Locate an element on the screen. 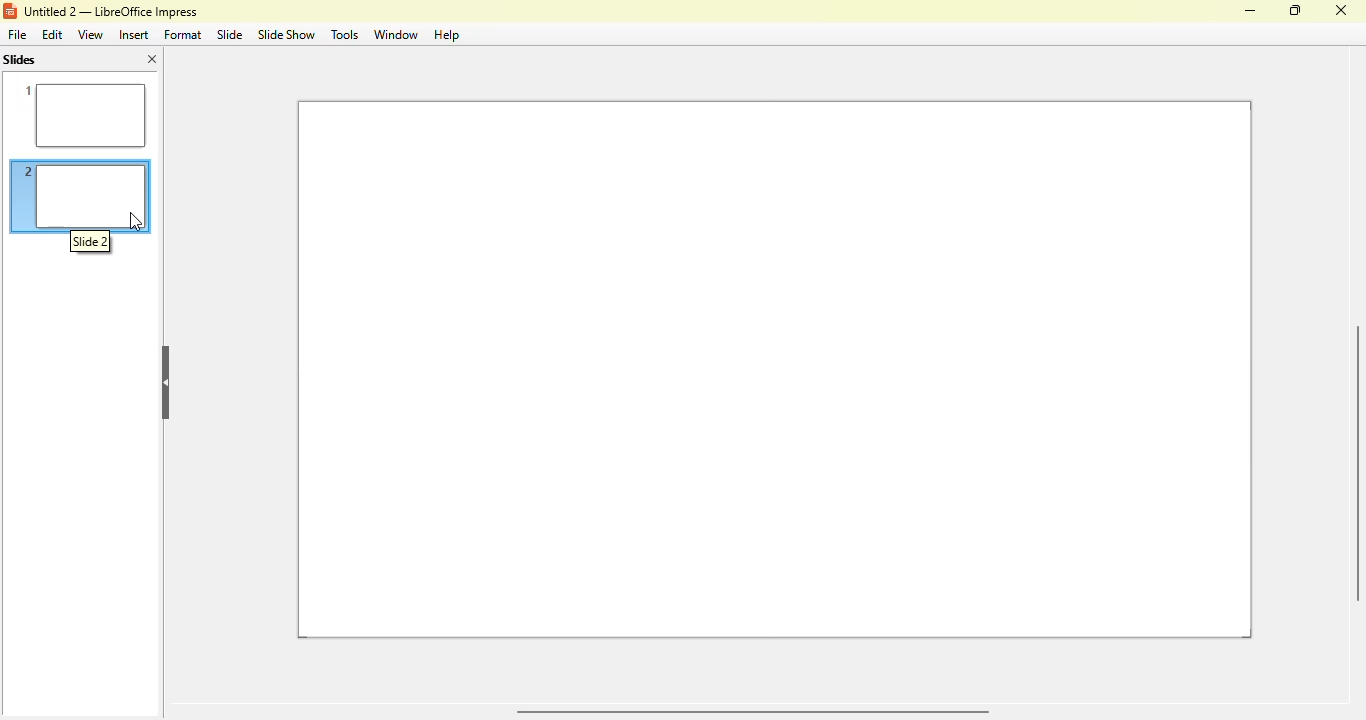 Image resolution: width=1366 pixels, height=720 pixels. logo is located at coordinates (10, 11).